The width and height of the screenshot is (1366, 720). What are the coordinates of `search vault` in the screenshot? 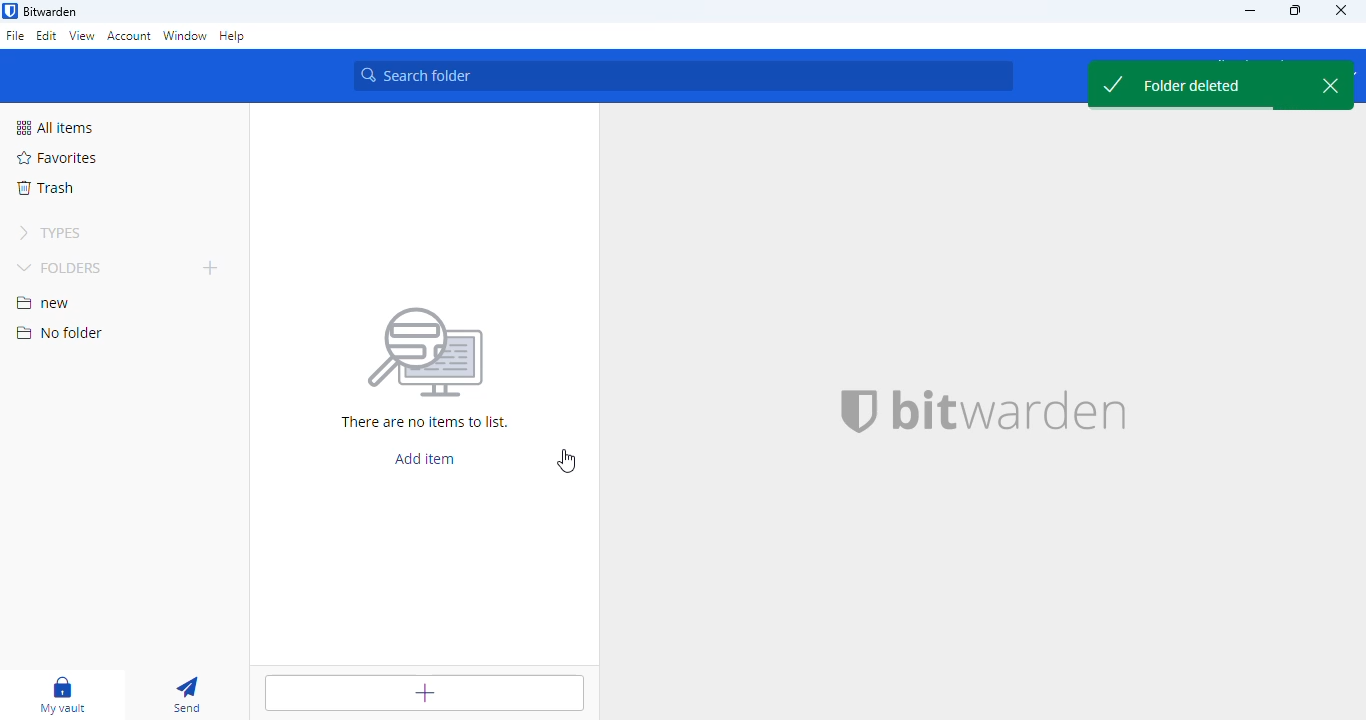 It's located at (683, 76).